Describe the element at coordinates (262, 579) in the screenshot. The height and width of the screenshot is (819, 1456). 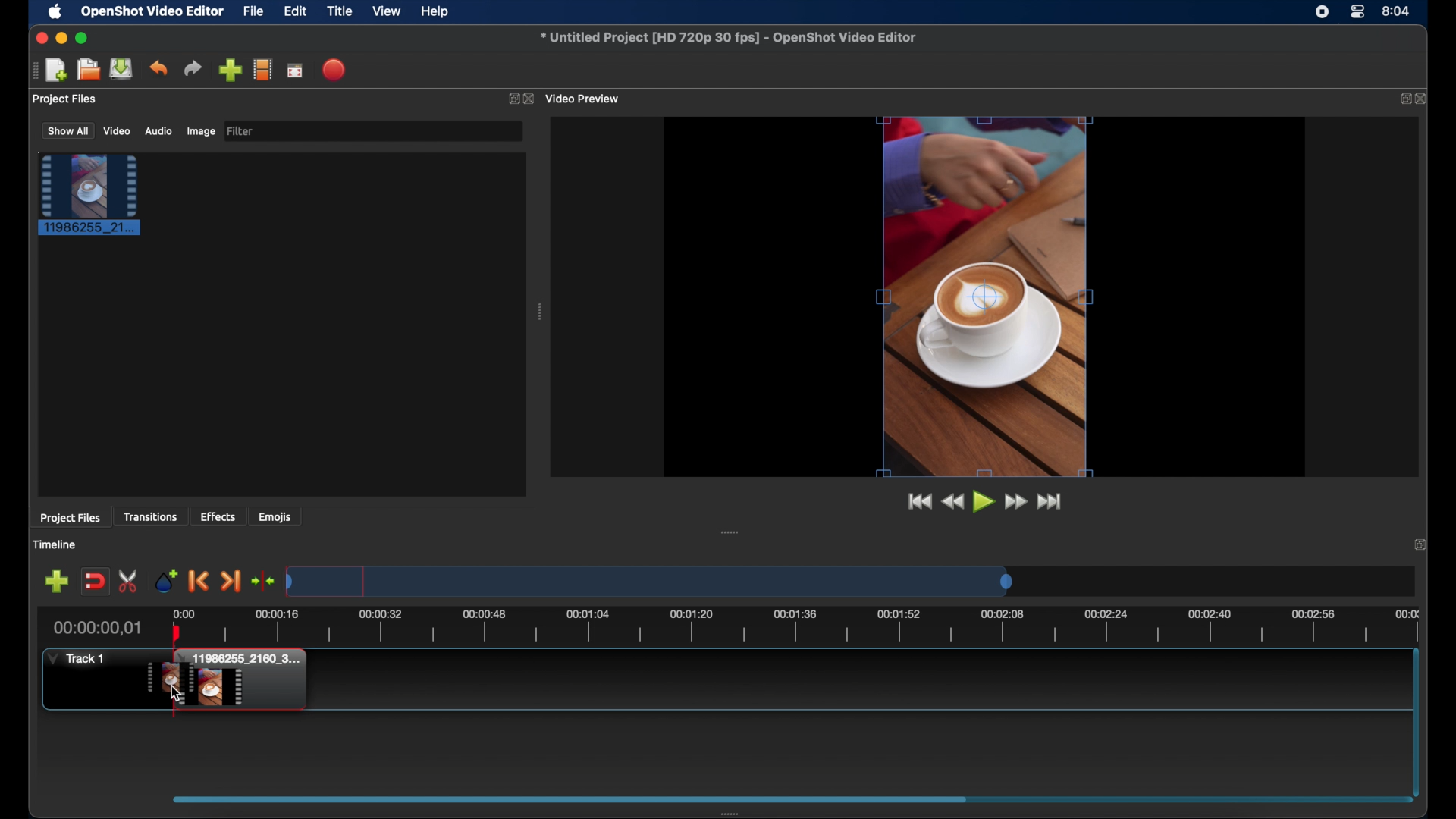
I see `center  playhead on the timeline` at that location.